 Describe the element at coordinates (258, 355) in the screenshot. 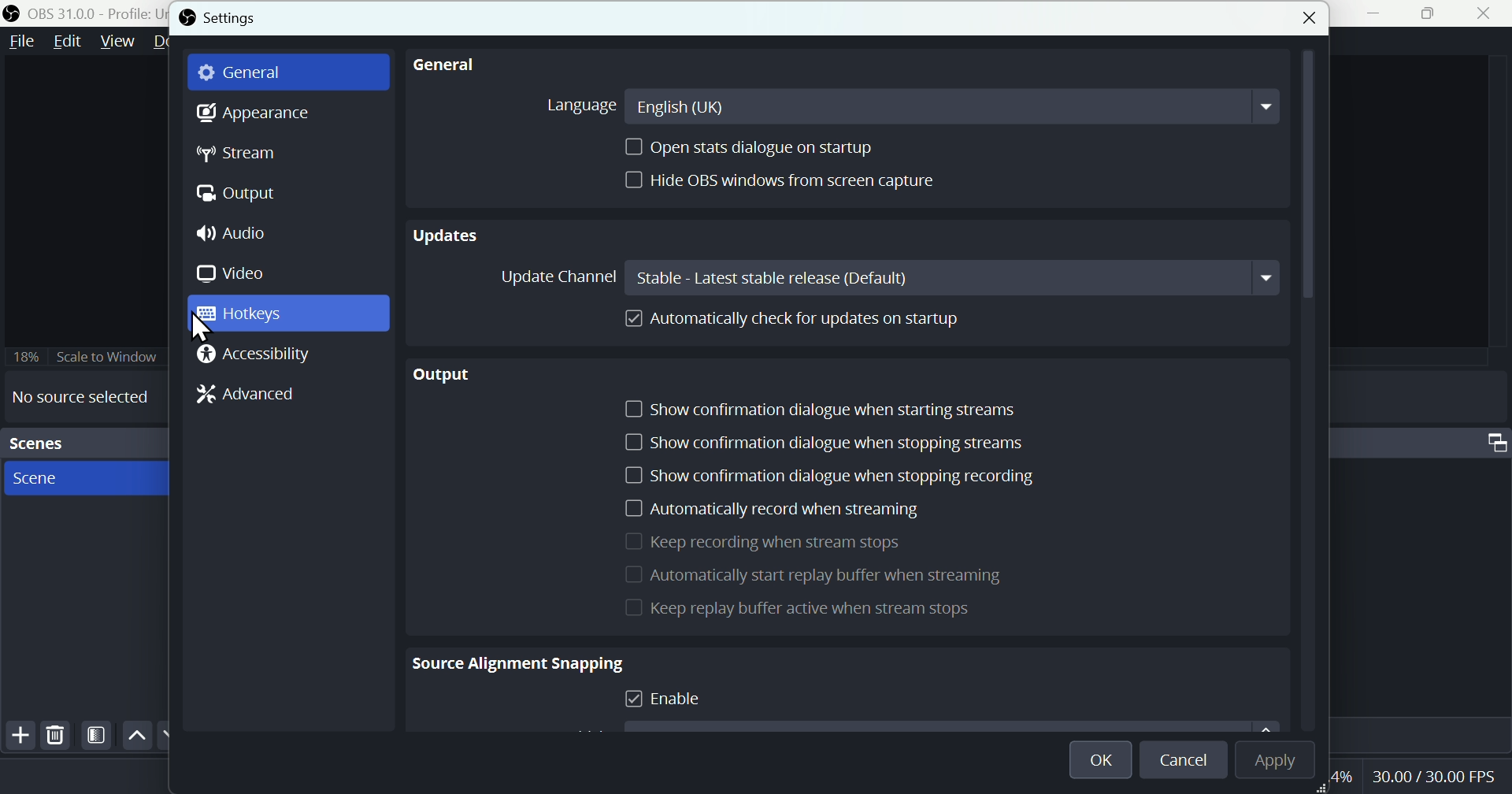

I see `Accessibility` at that location.